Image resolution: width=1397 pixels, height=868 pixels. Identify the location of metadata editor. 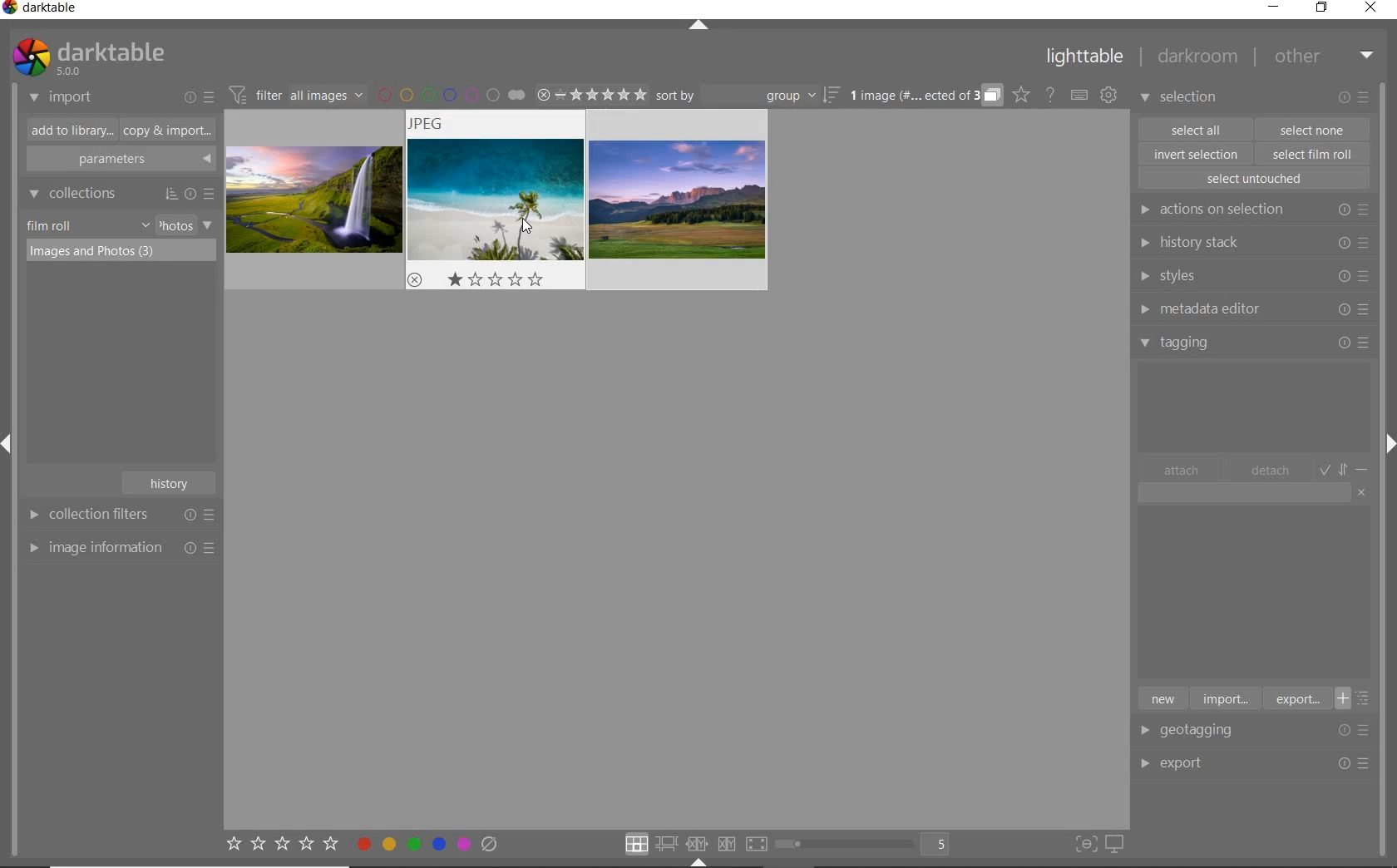
(1251, 309).